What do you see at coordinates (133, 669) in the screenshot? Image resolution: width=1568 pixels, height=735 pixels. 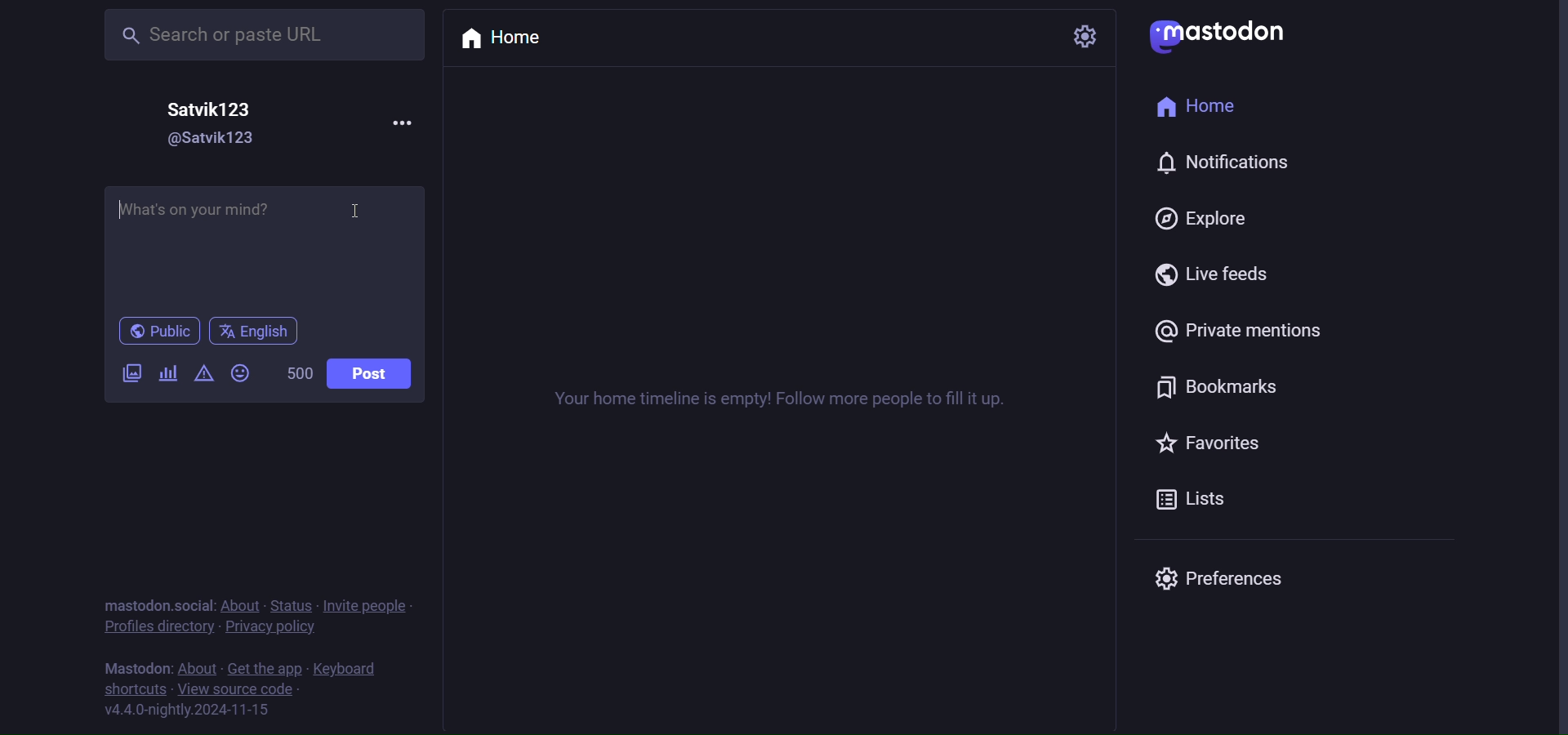 I see `text` at bounding box center [133, 669].